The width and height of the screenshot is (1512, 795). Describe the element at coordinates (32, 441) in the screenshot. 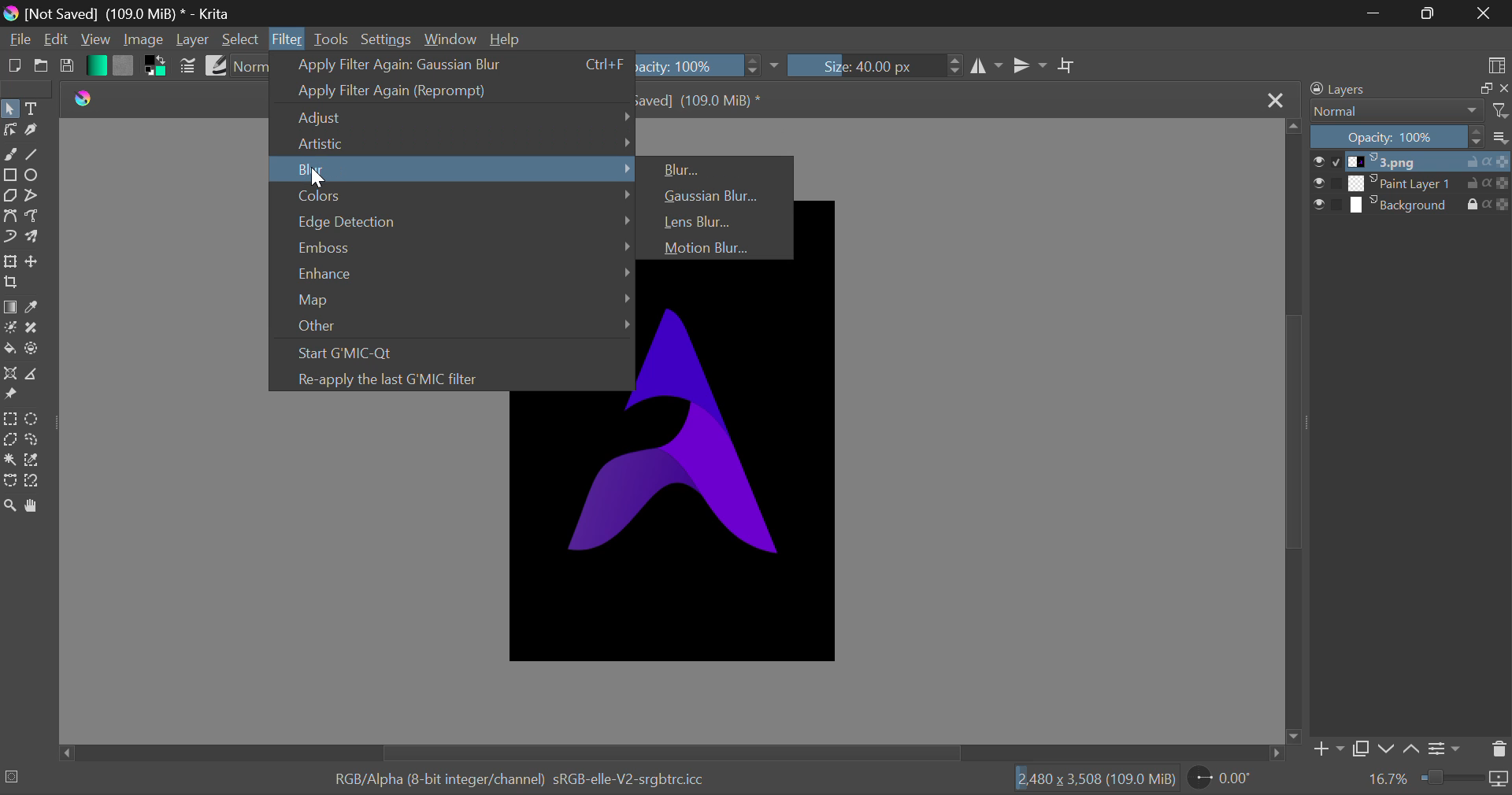

I see `Freehand Selection Tool` at that location.